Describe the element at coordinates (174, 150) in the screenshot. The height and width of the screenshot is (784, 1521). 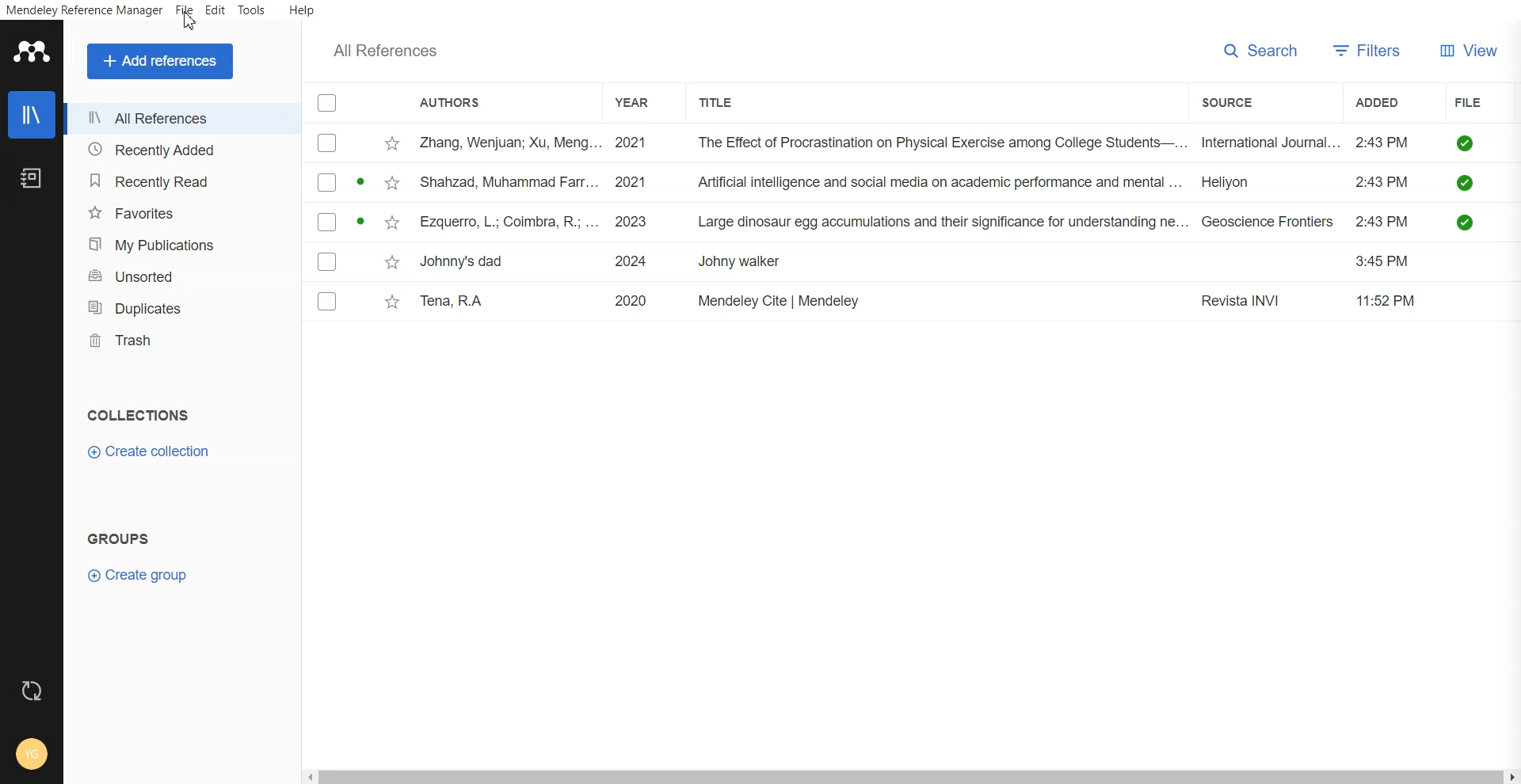
I see `Recently Added` at that location.